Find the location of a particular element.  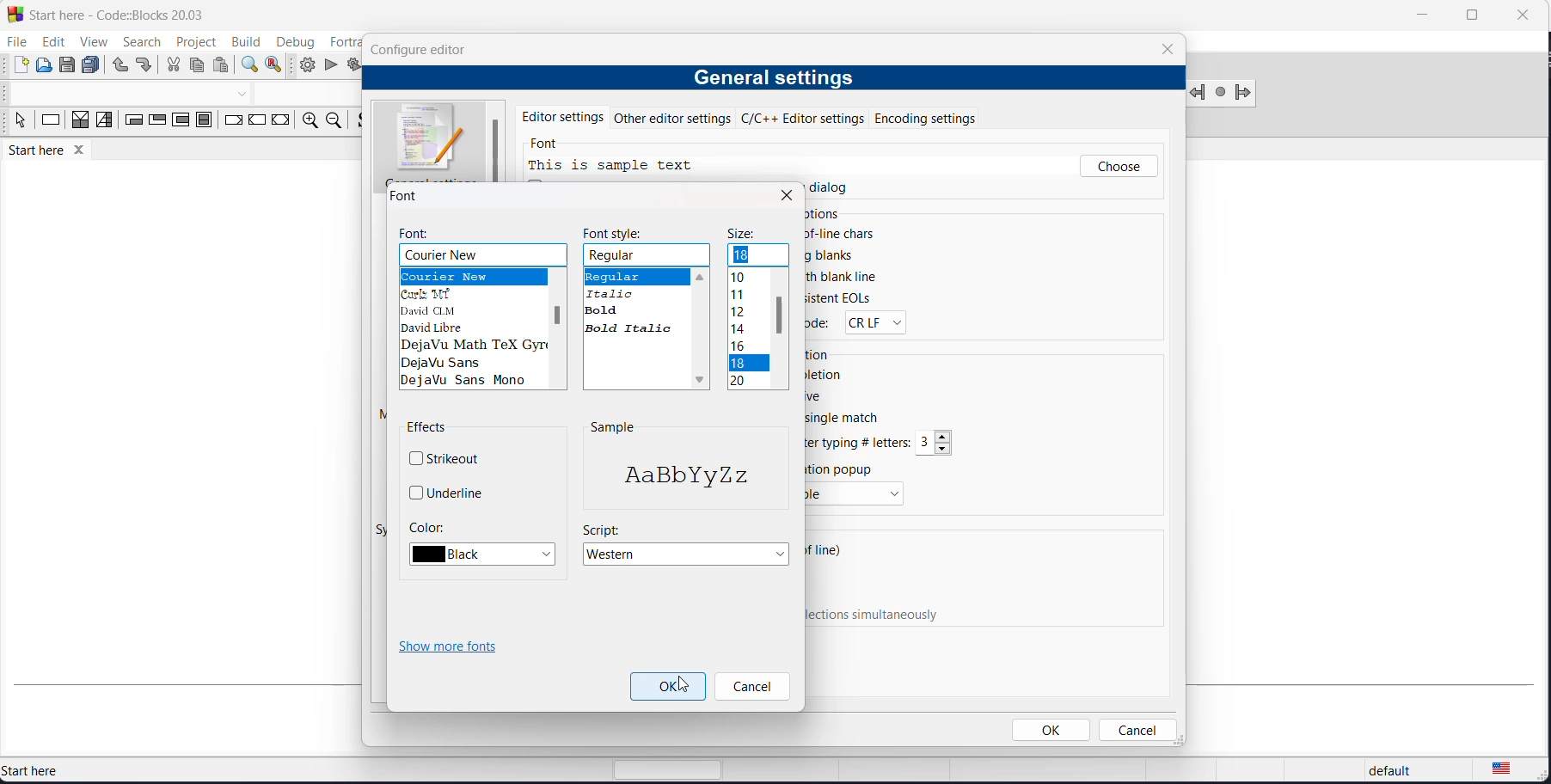

sample is located at coordinates (612, 427).